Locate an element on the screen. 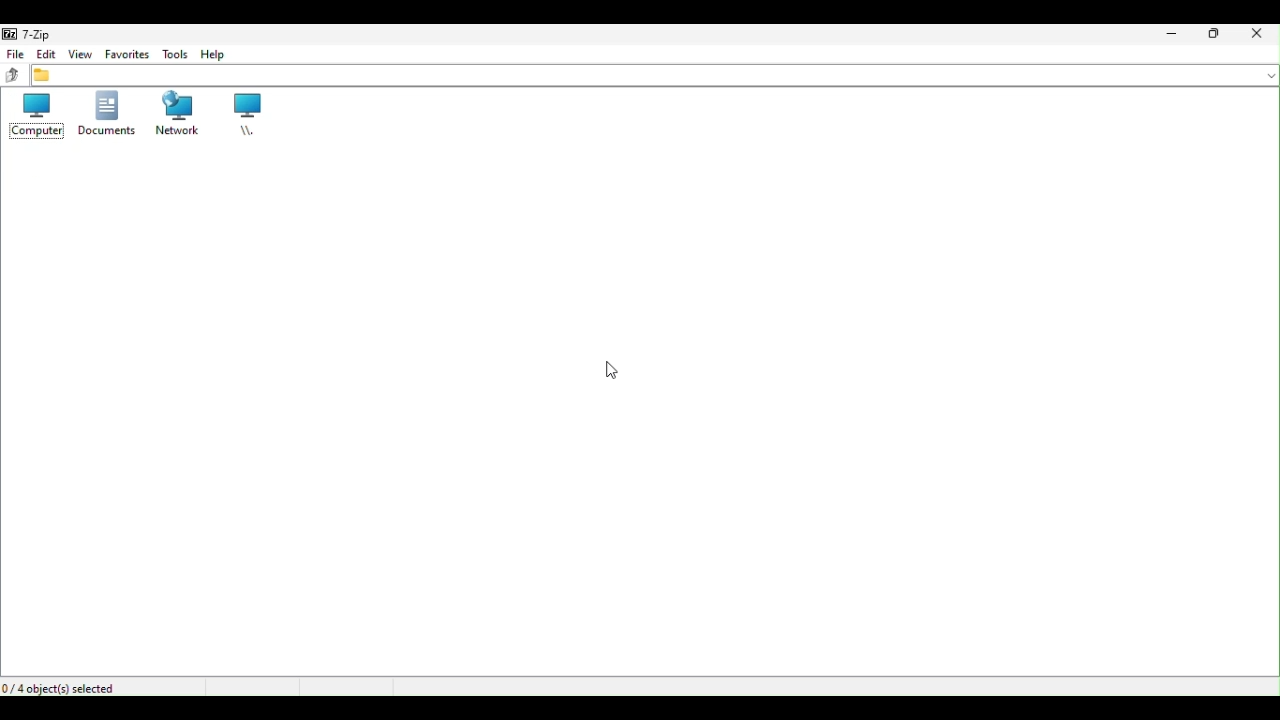 This screenshot has height=720, width=1280. Minimise is located at coordinates (1171, 36).